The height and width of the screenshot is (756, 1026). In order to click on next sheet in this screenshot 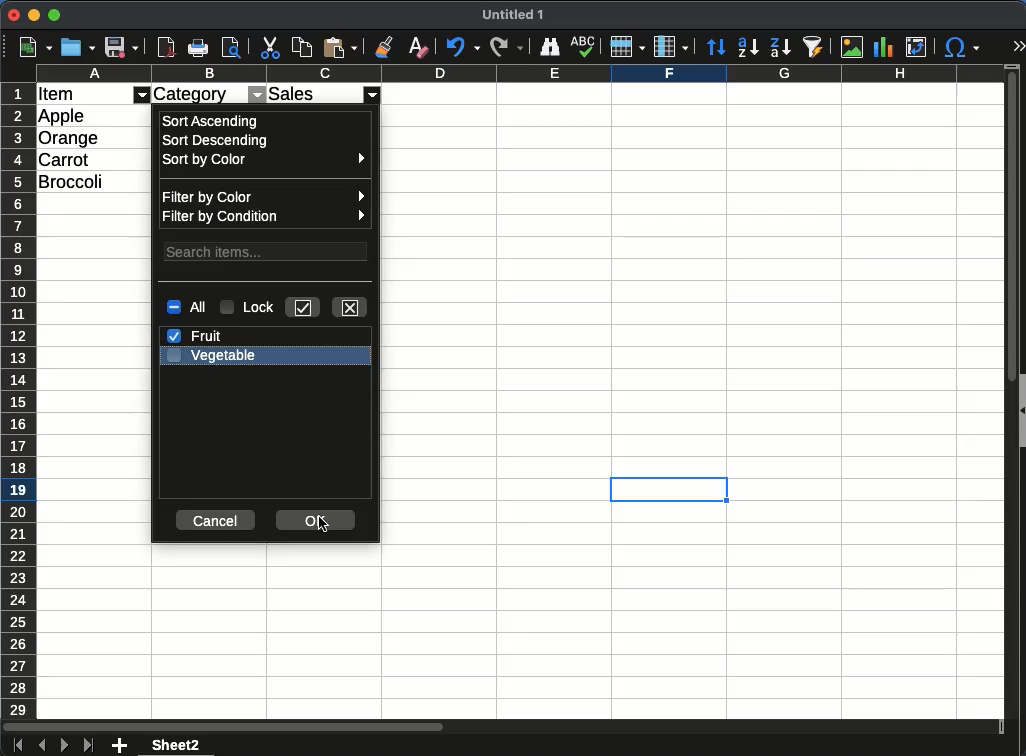, I will do `click(64, 746)`.